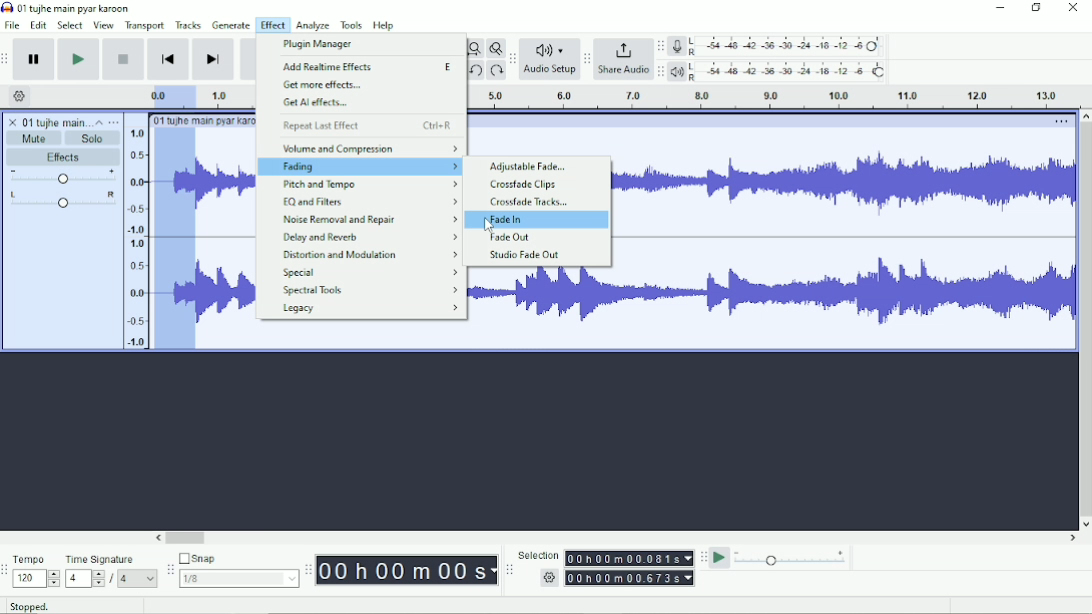  Describe the element at coordinates (35, 60) in the screenshot. I see `Pause` at that location.